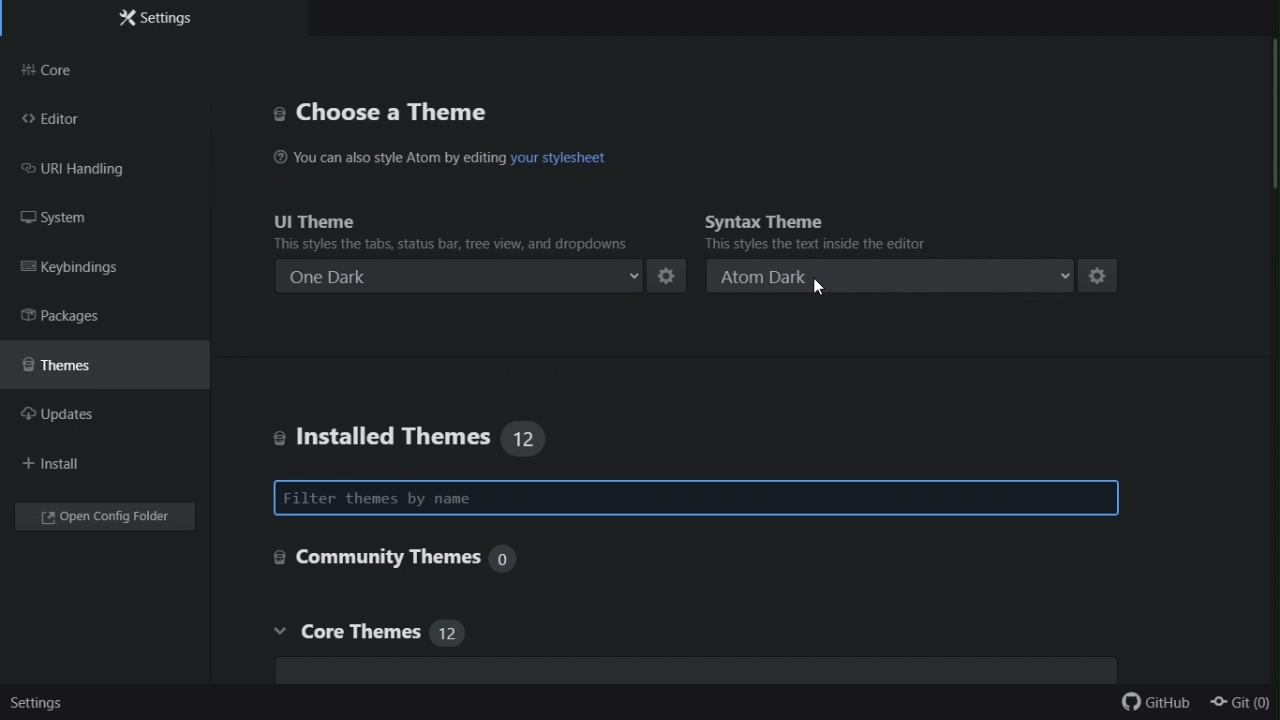 This screenshot has width=1280, height=720. Describe the element at coordinates (55, 118) in the screenshot. I see `Editor` at that location.